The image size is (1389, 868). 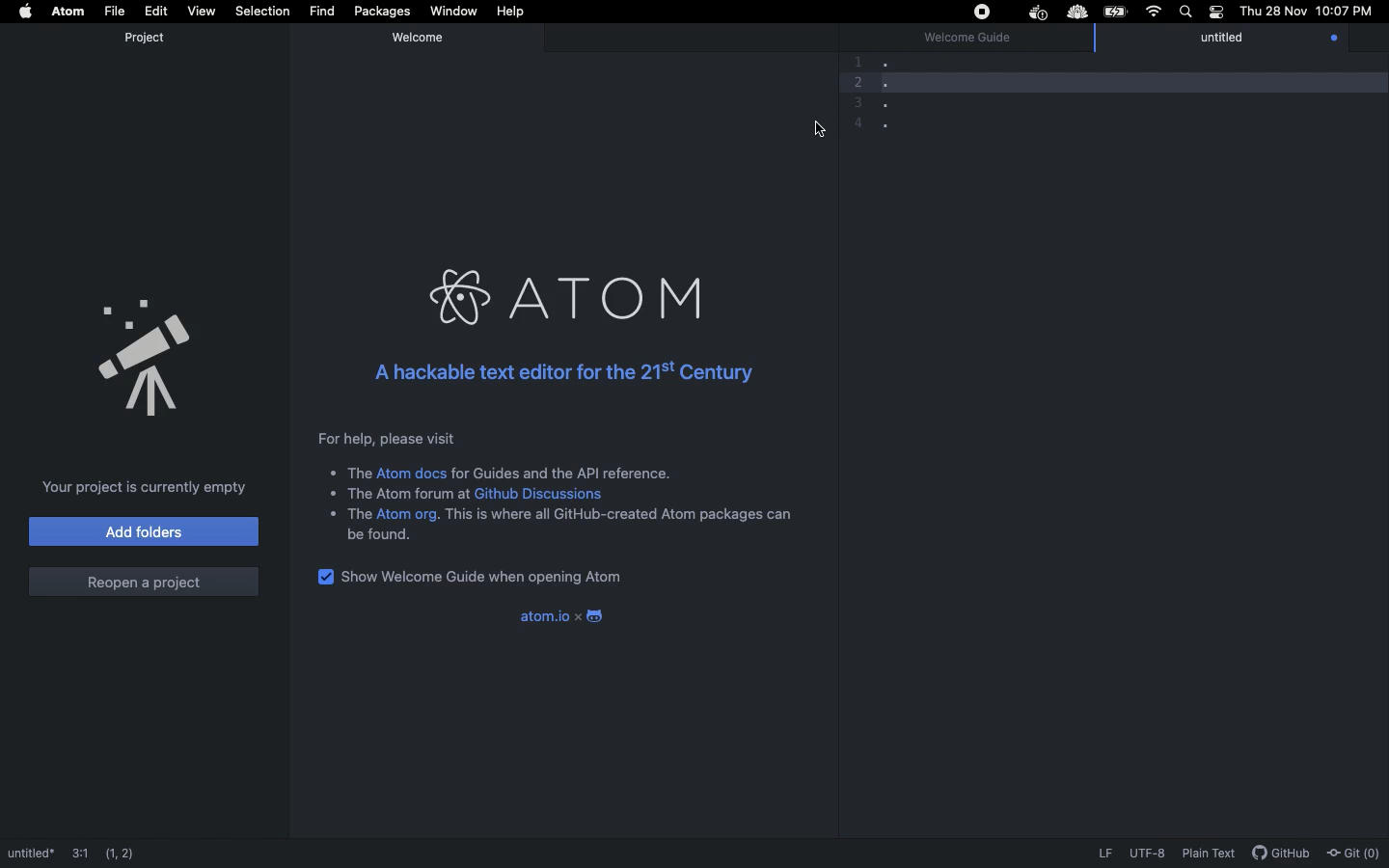 I want to click on Welcome guide, so click(x=967, y=40).